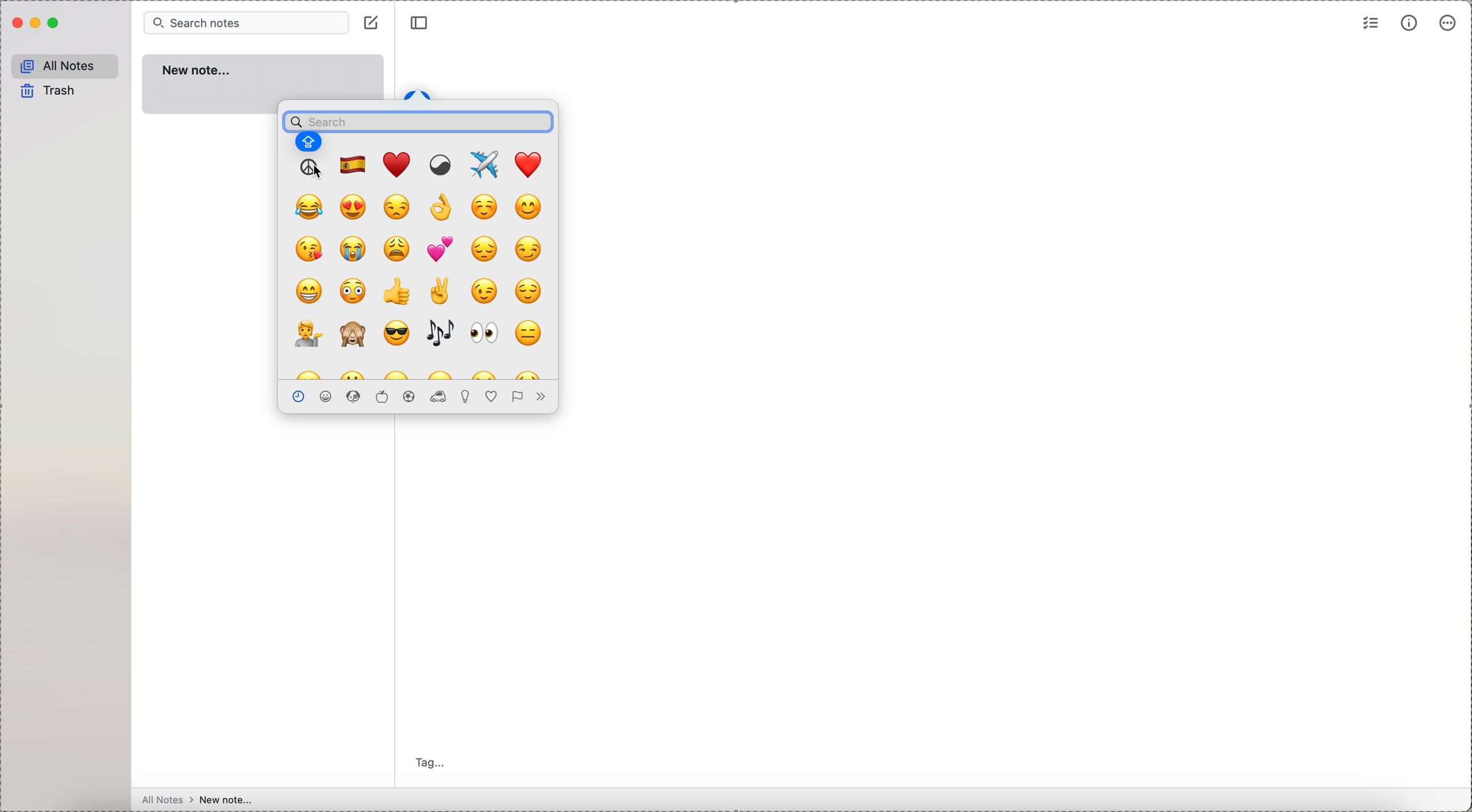  What do you see at coordinates (354, 250) in the screenshot?
I see `emoji` at bounding box center [354, 250].